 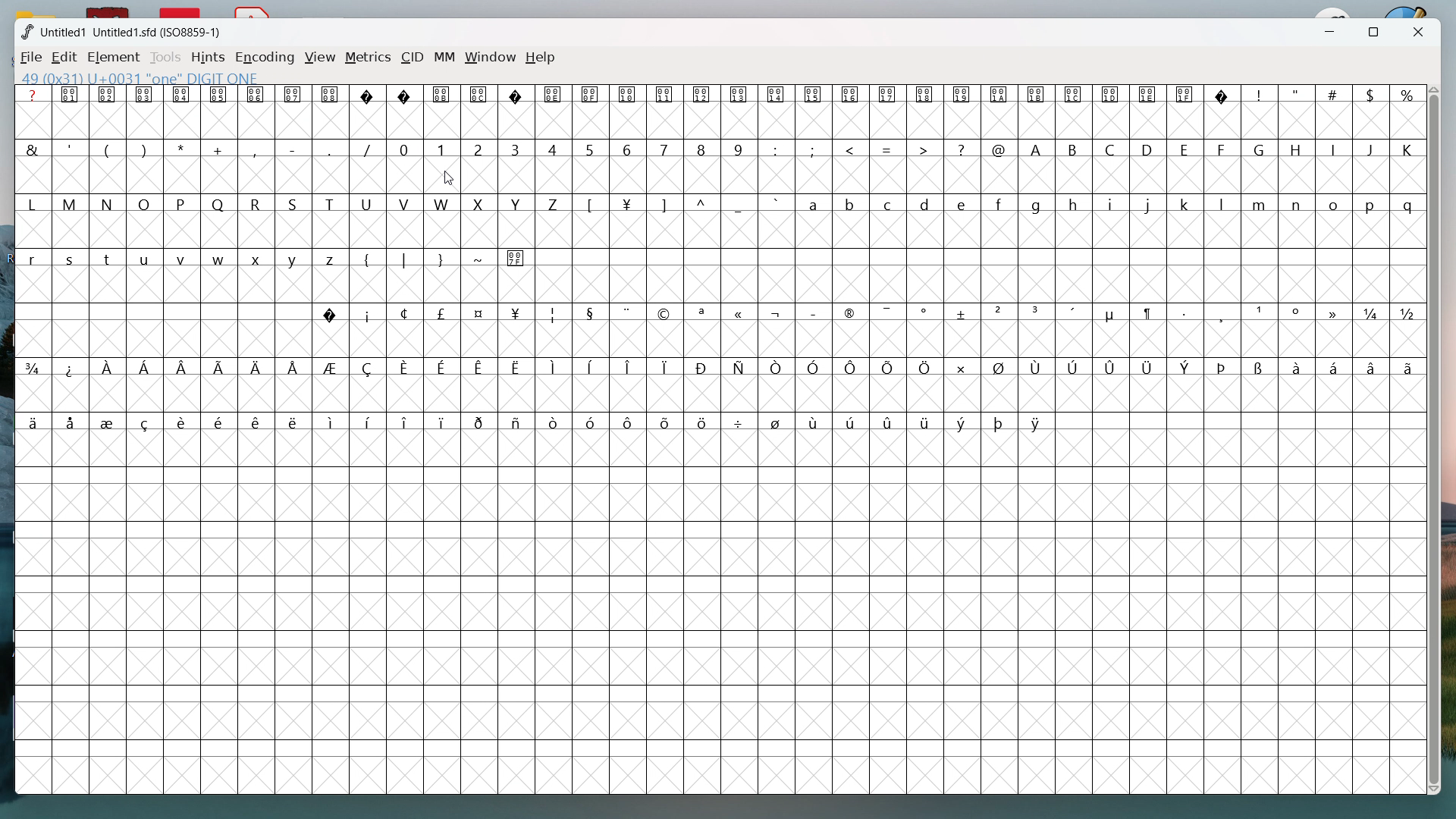 I want to click on symbol, so click(x=1036, y=366).